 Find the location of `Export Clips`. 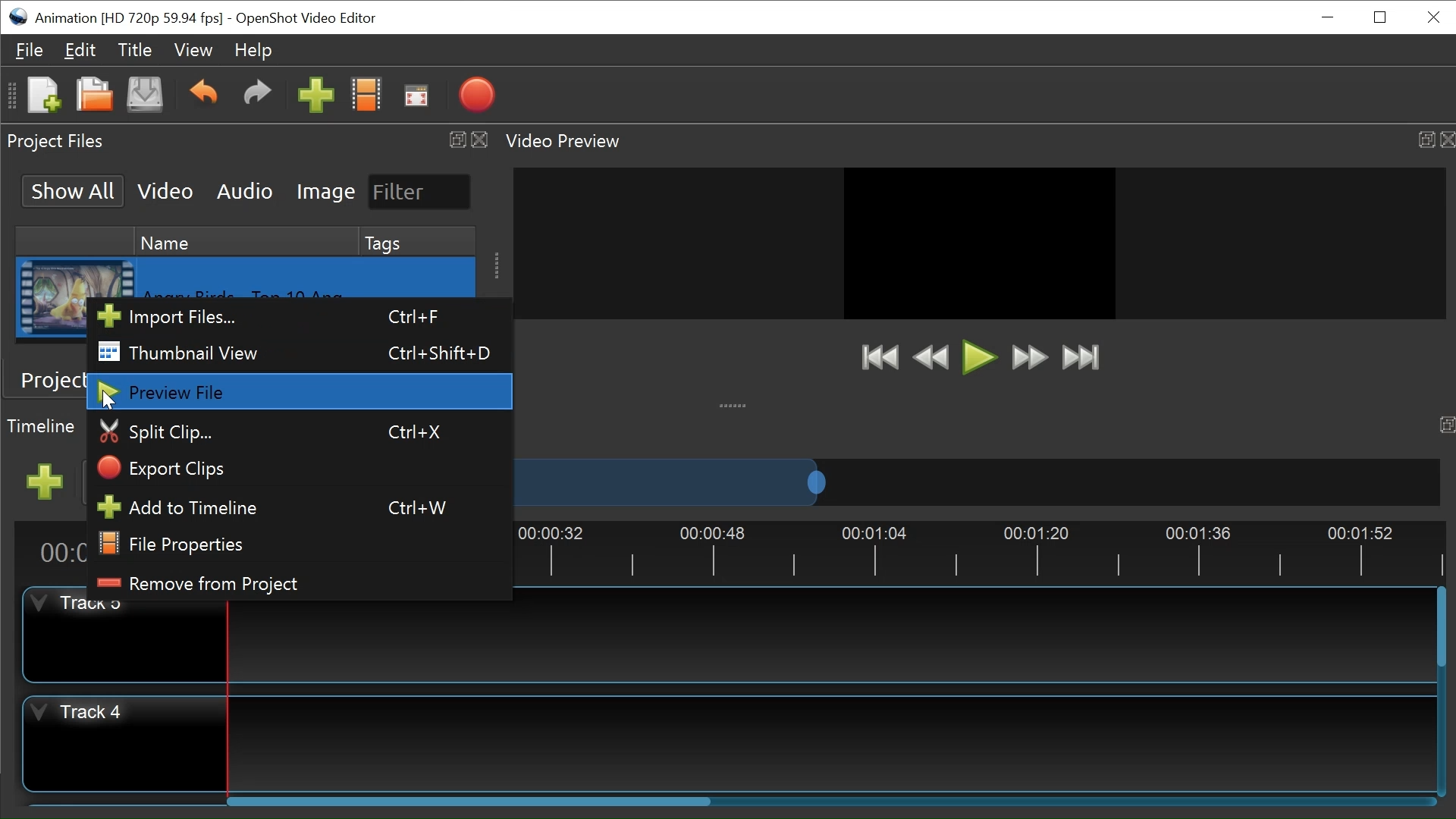

Export Clips is located at coordinates (302, 469).